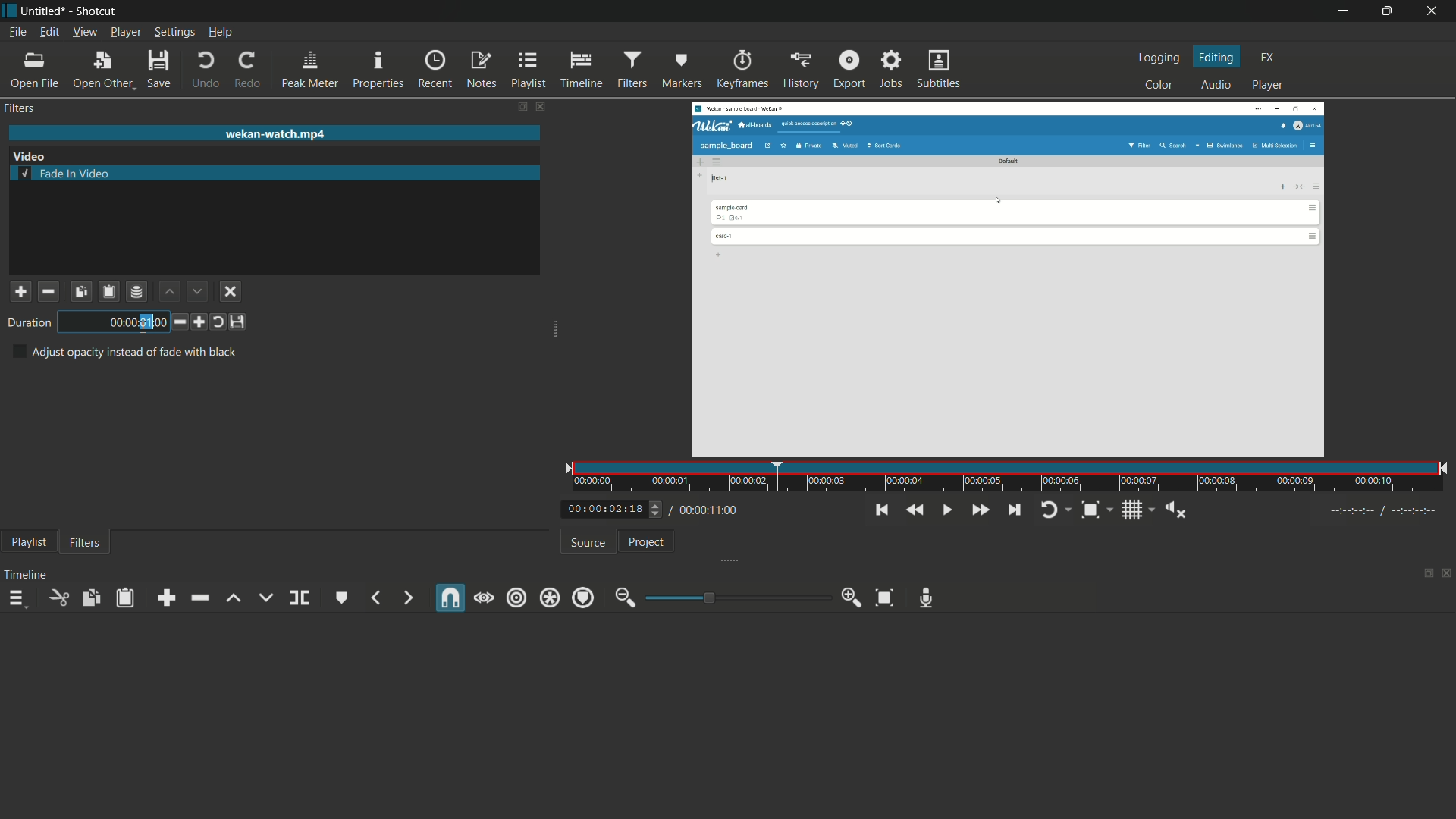  I want to click on zoom out, so click(626, 598).